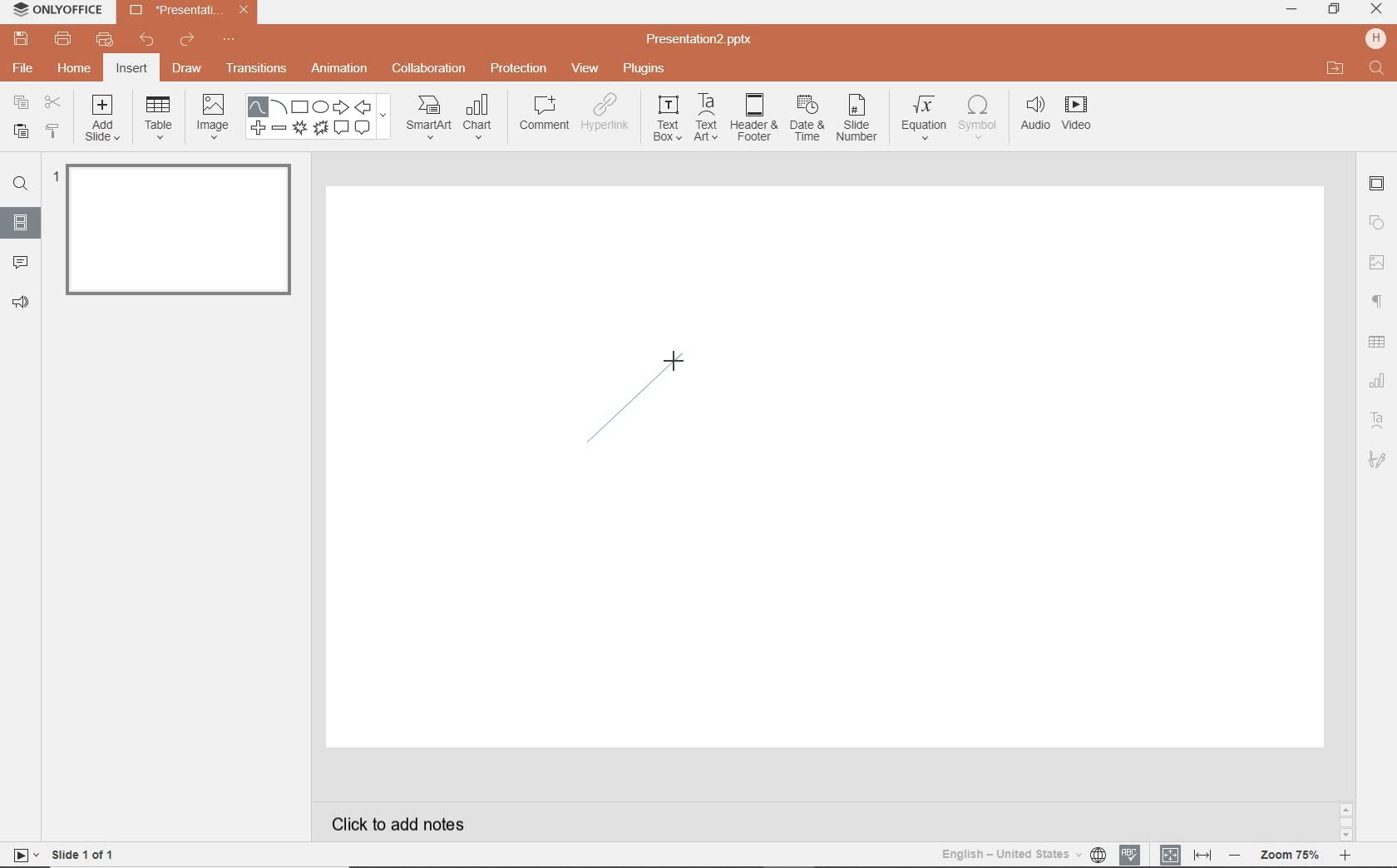  Describe the element at coordinates (1375, 300) in the screenshot. I see `PARAGRAPH SETTINGS` at that location.